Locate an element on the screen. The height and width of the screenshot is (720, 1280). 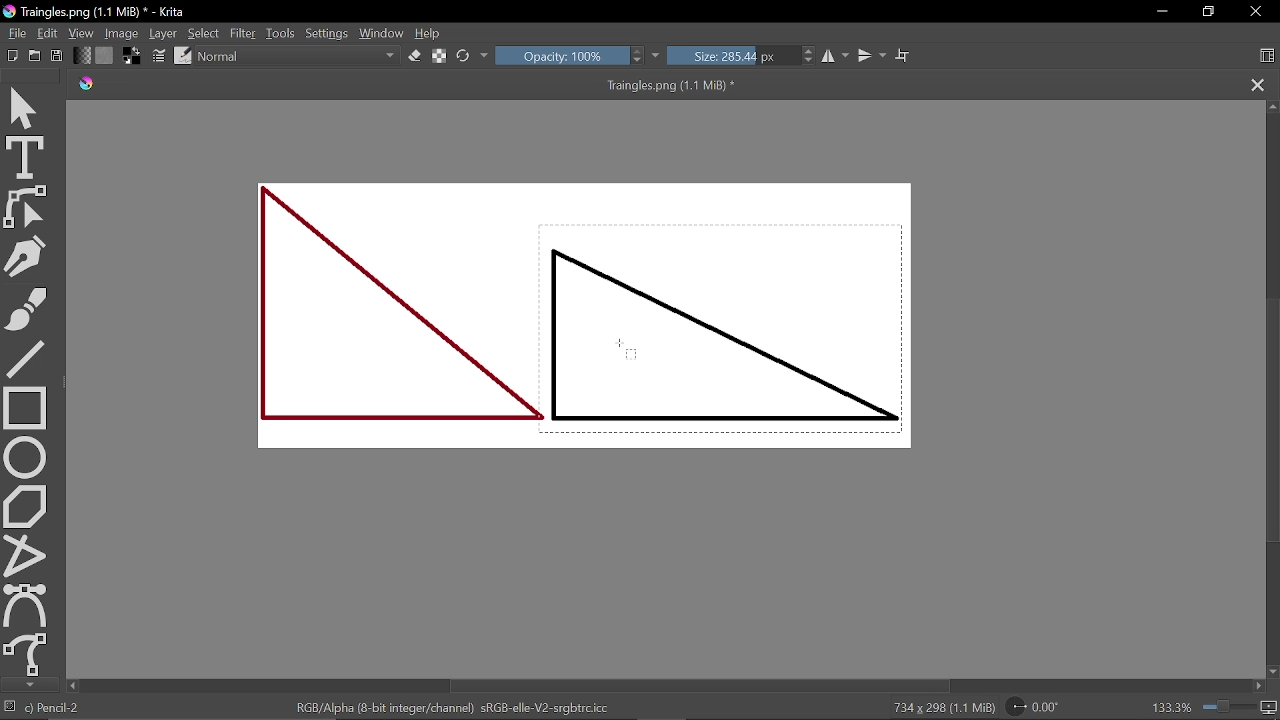
Preserve alpha is located at coordinates (438, 57).